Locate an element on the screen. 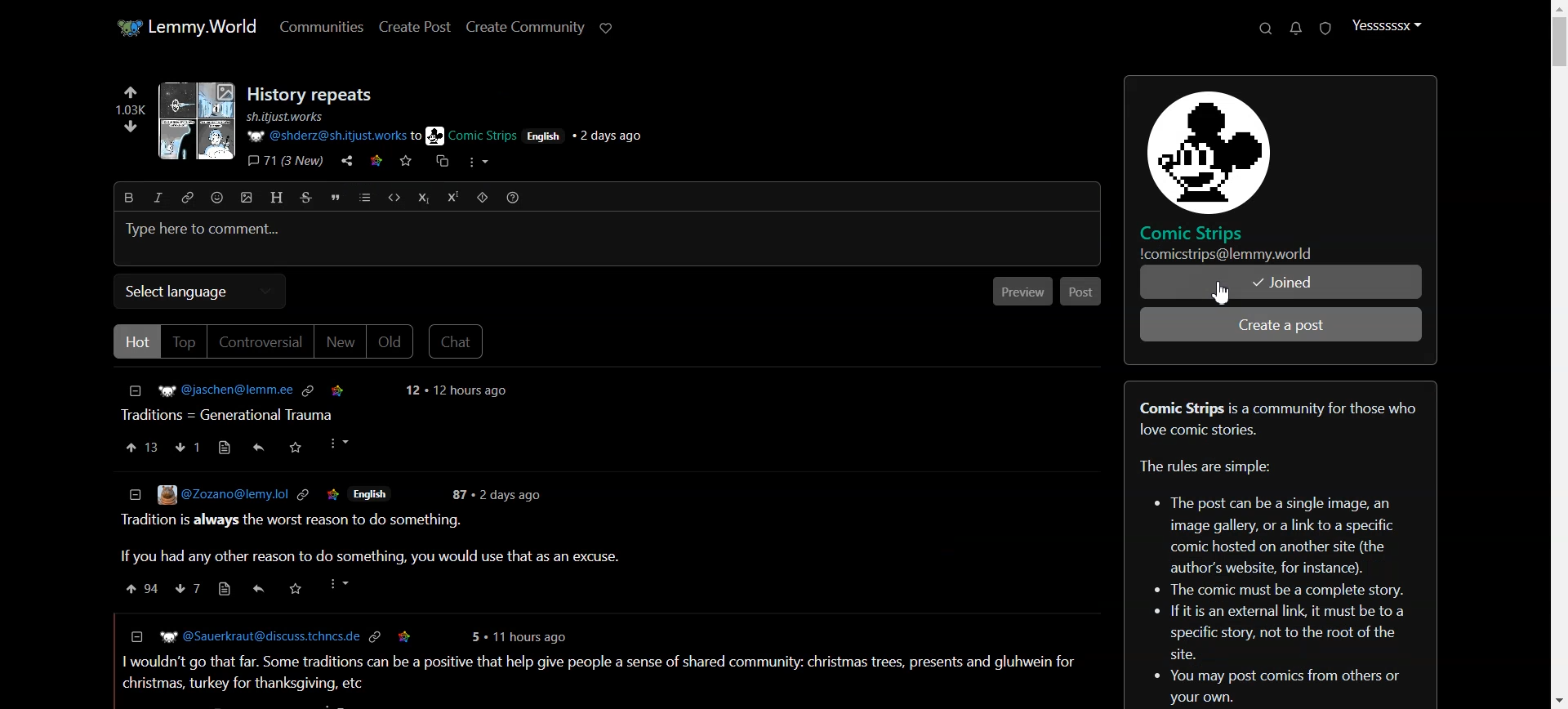  Create Post is located at coordinates (414, 27).